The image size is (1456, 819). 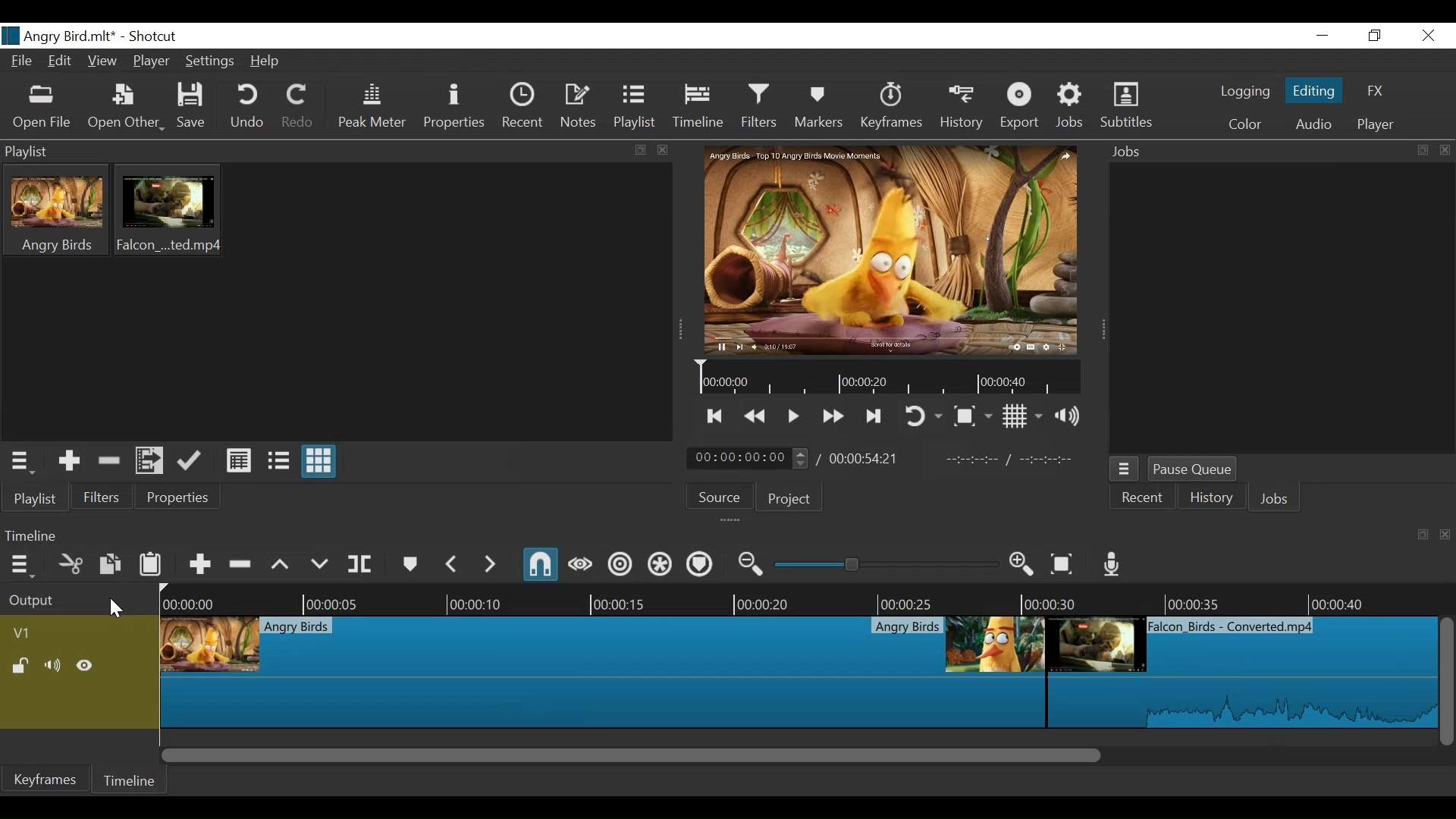 What do you see at coordinates (717, 416) in the screenshot?
I see `Skip to the previous point` at bounding box center [717, 416].